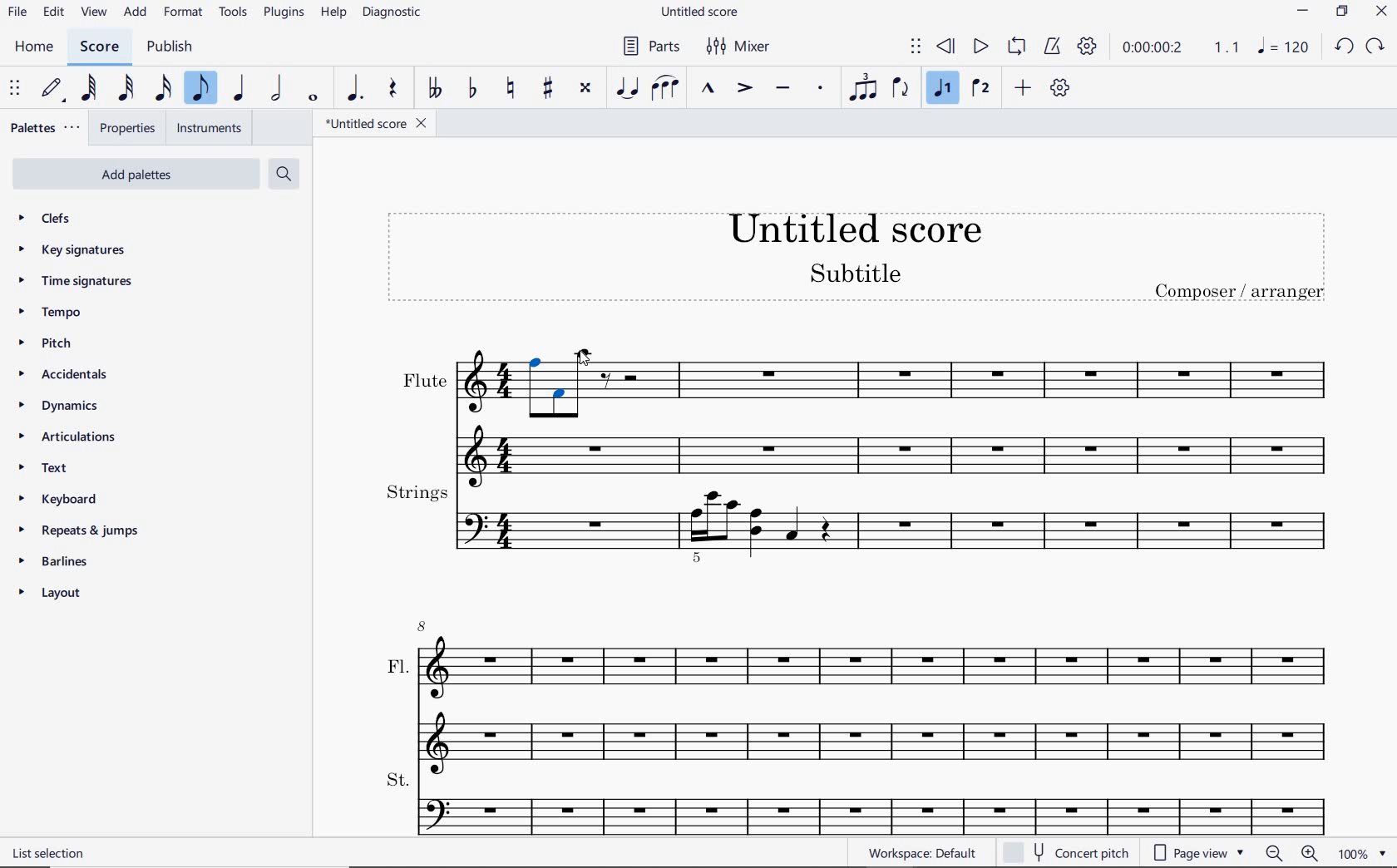  Describe the element at coordinates (395, 13) in the screenshot. I see `DIAGNOSTIC` at that location.